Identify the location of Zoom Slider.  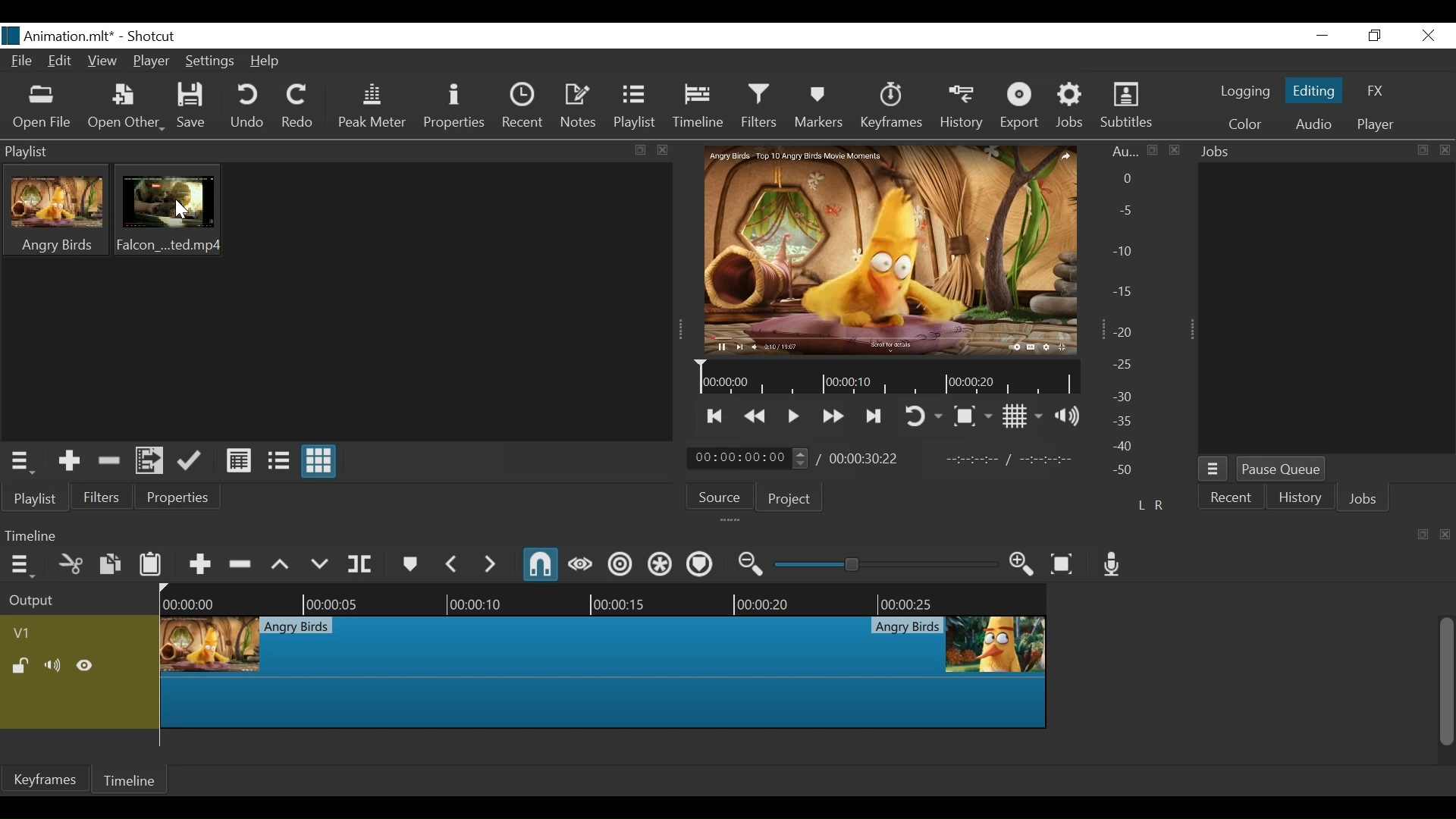
(886, 563).